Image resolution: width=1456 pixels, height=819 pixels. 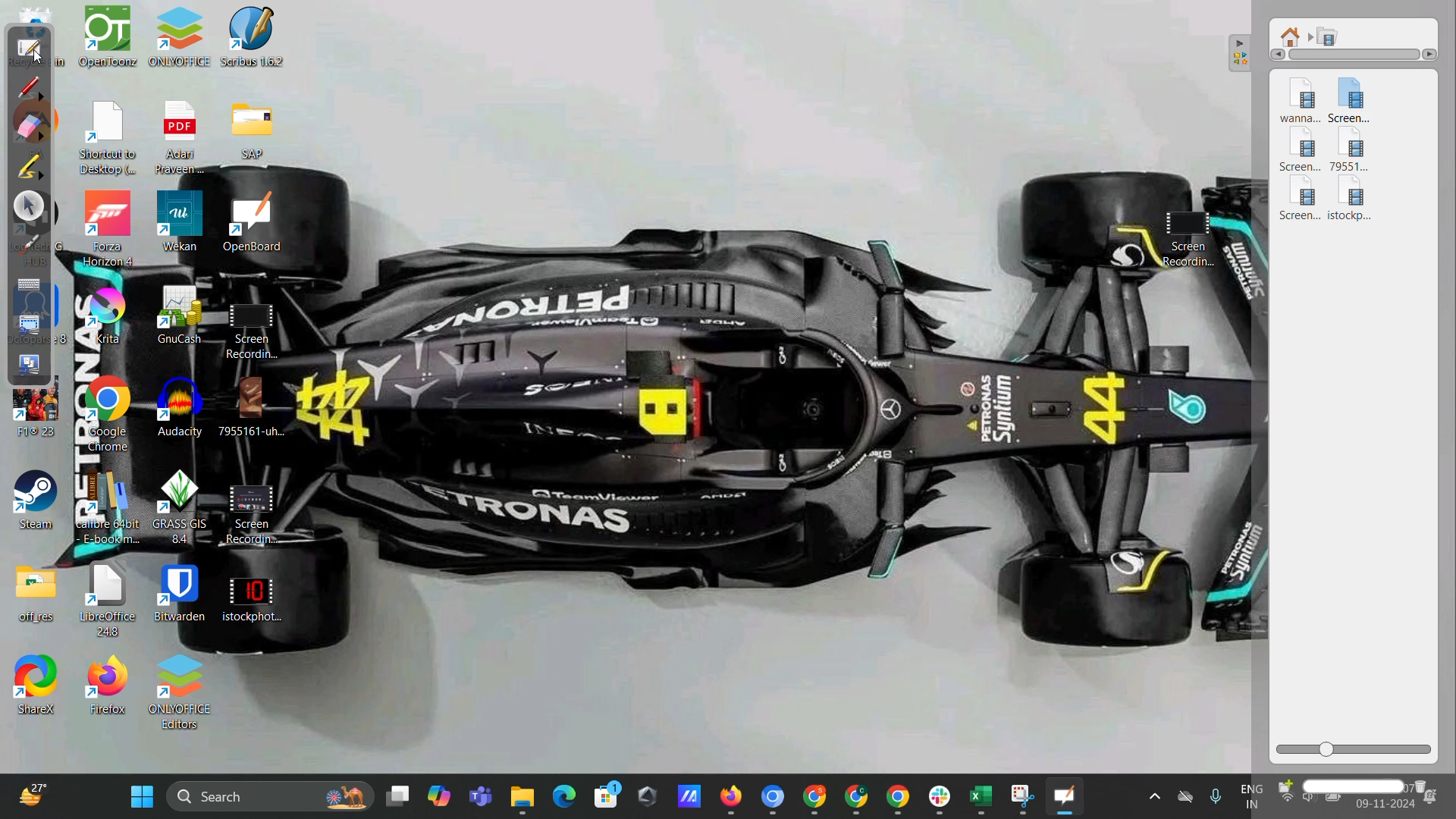 I want to click on Krita, so click(x=111, y=313).